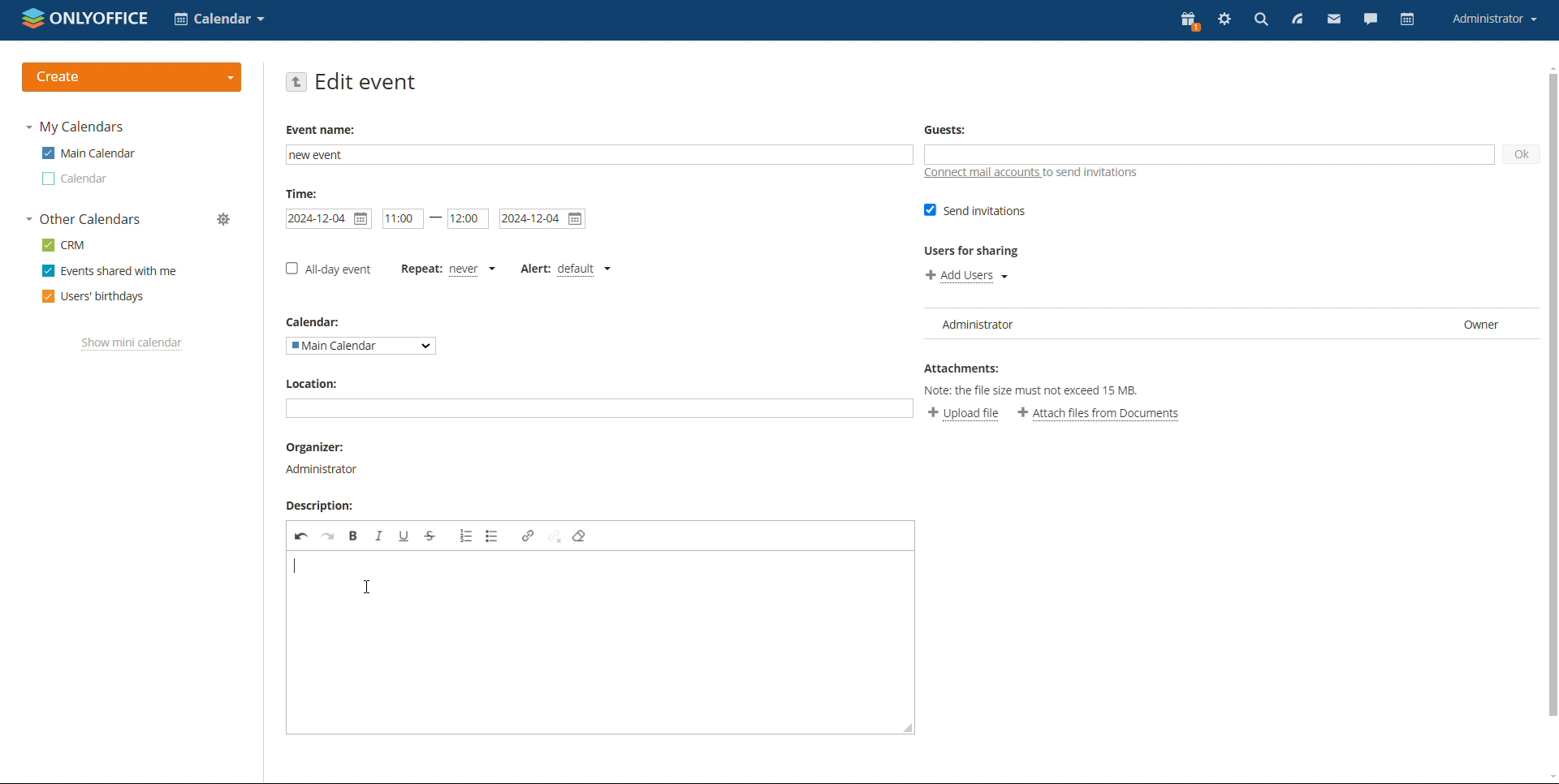 This screenshot has width=1559, height=784. What do you see at coordinates (305, 194) in the screenshot?
I see `Time:` at bounding box center [305, 194].